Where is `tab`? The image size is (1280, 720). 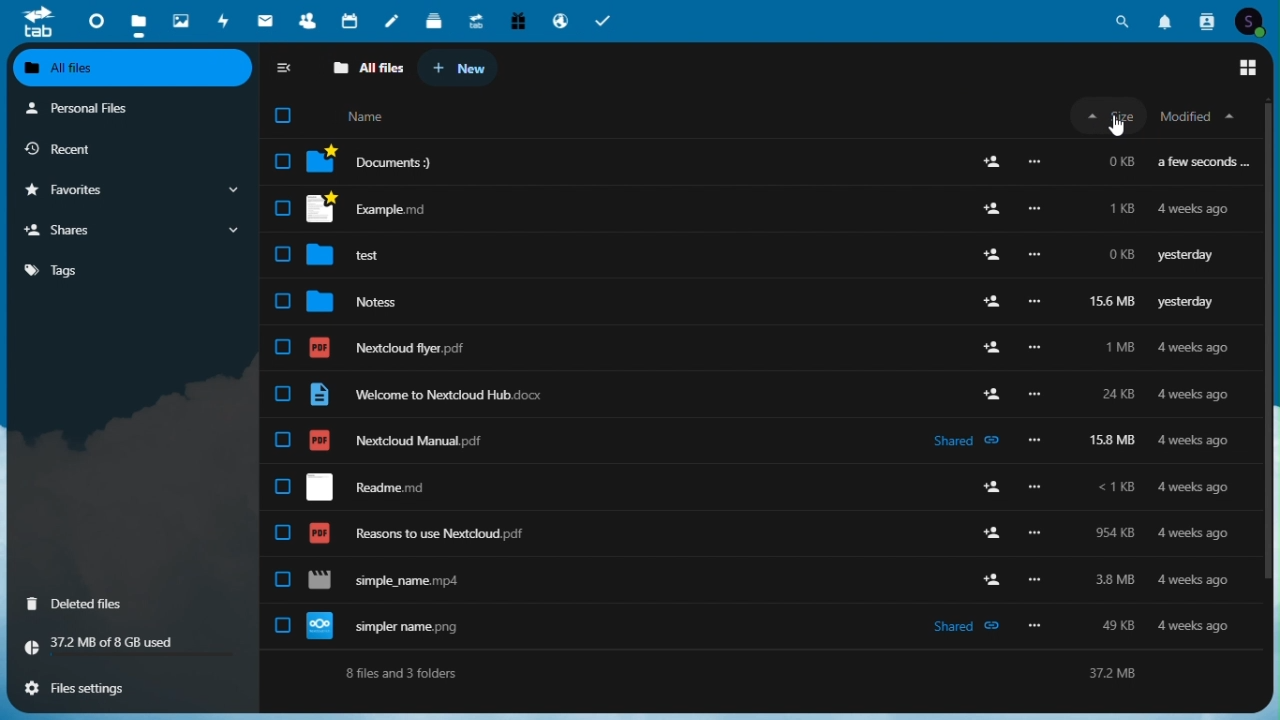 tab is located at coordinates (34, 22).